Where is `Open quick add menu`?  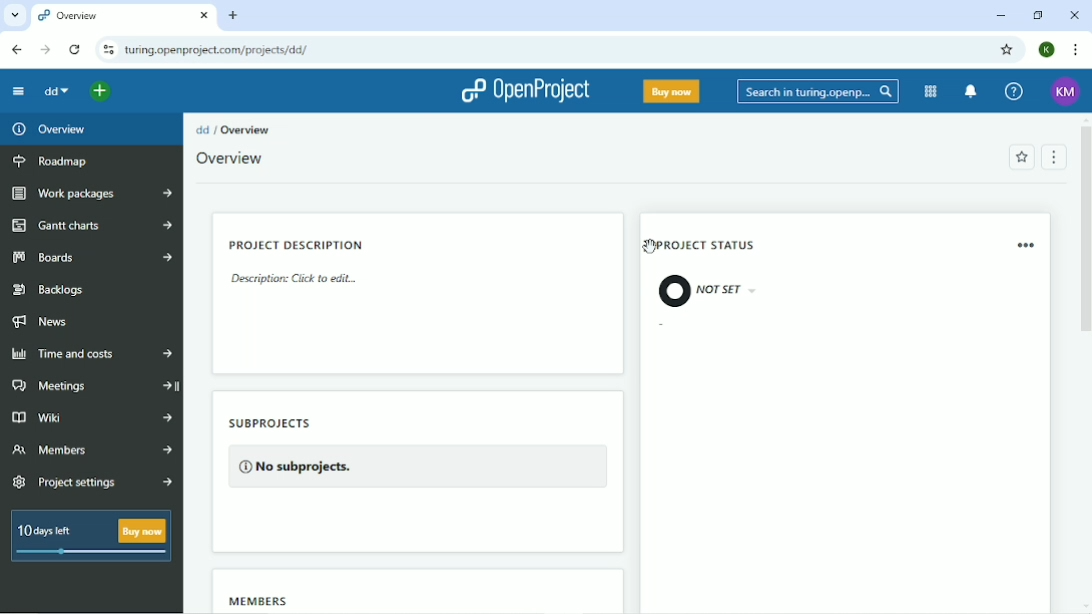 Open quick add menu is located at coordinates (100, 91).